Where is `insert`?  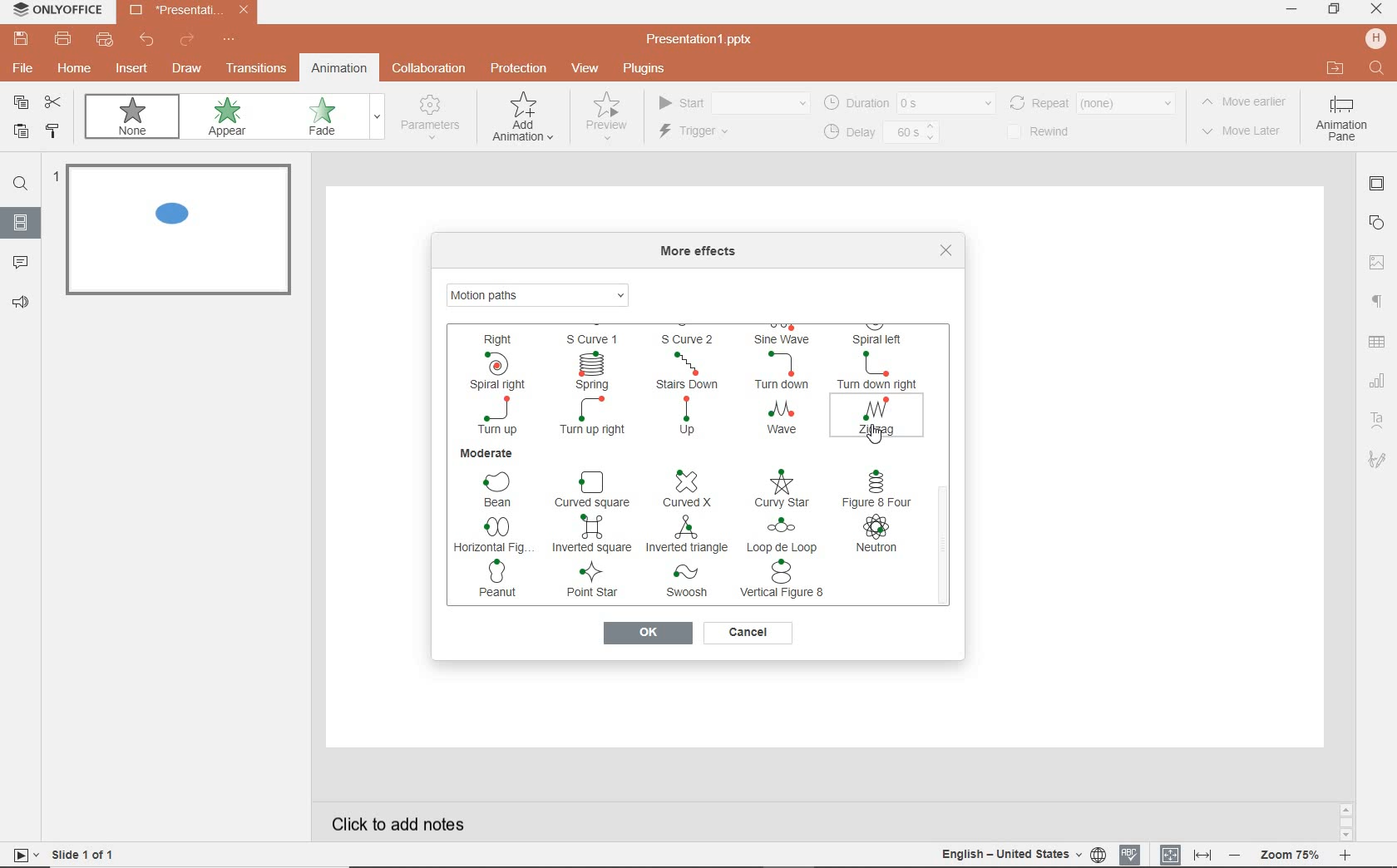 insert is located at coordinates (129, 69).